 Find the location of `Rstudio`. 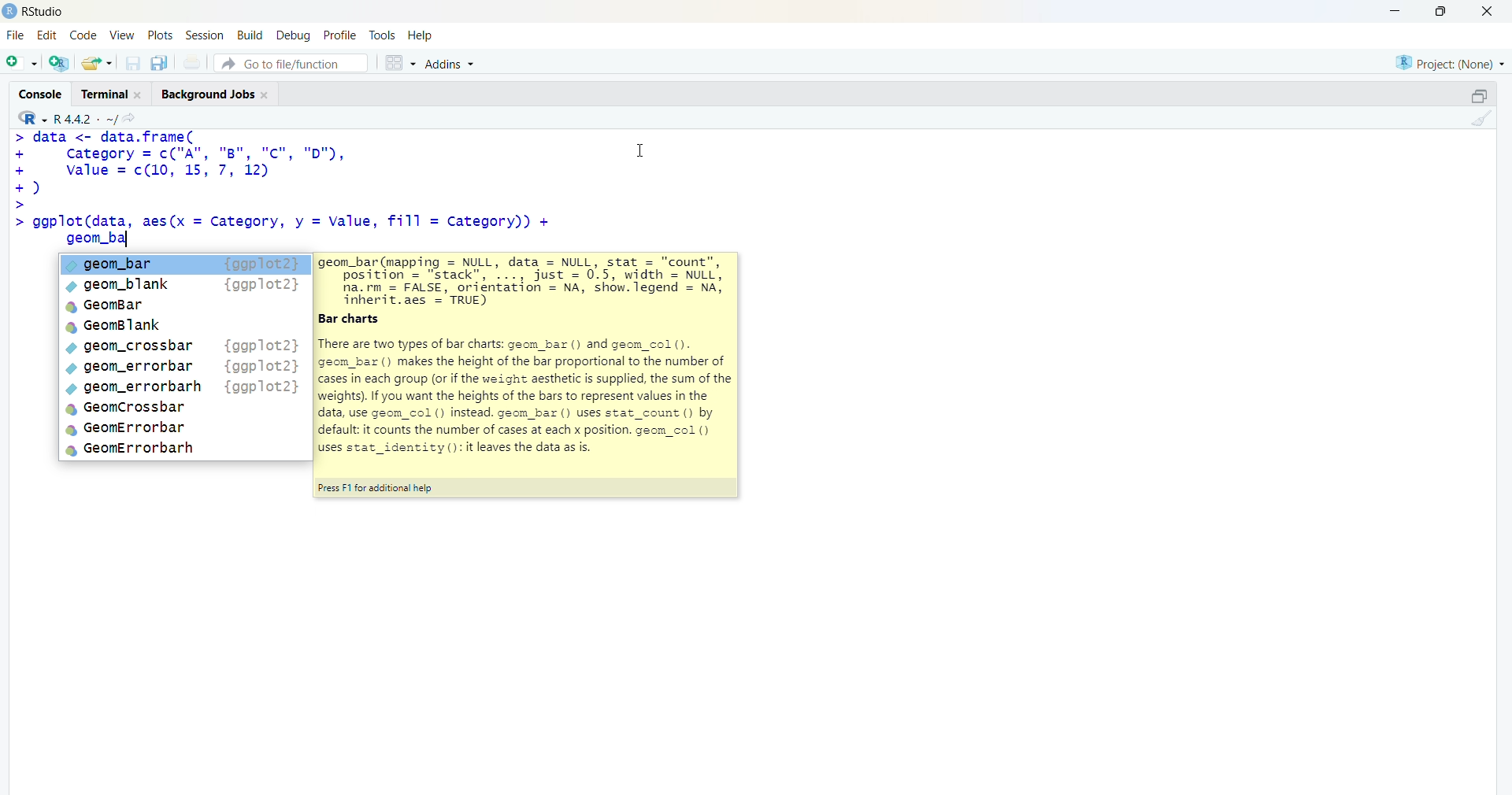

Rstudio is located at coordinates (48, 12).